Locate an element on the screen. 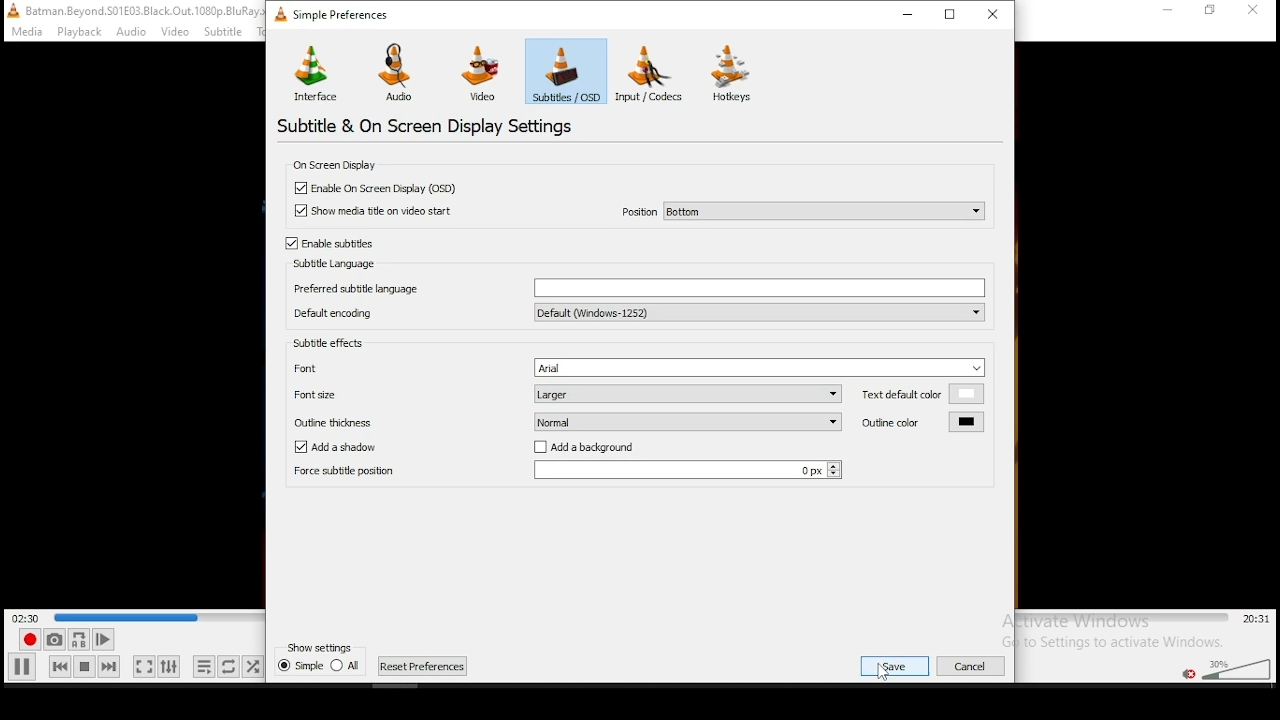 The image size is (1280, 720). checkbox: on screen display (OSD) is located at coordinates (380, 189).